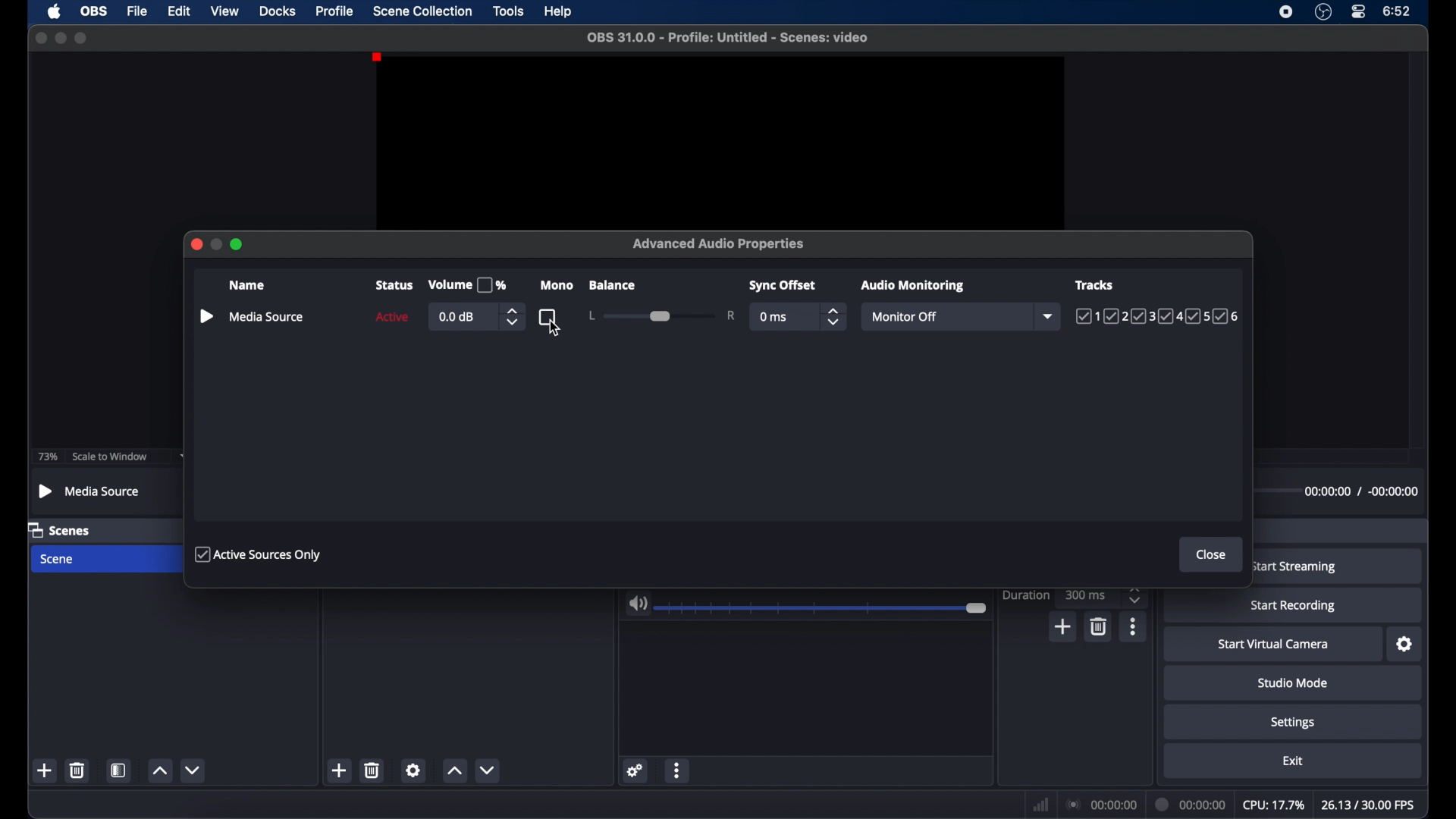 The width and height of the screenshot is (1456, 819). Describe the element at coordinates (90, 491) in the screenshot. I see `media source` at that location.